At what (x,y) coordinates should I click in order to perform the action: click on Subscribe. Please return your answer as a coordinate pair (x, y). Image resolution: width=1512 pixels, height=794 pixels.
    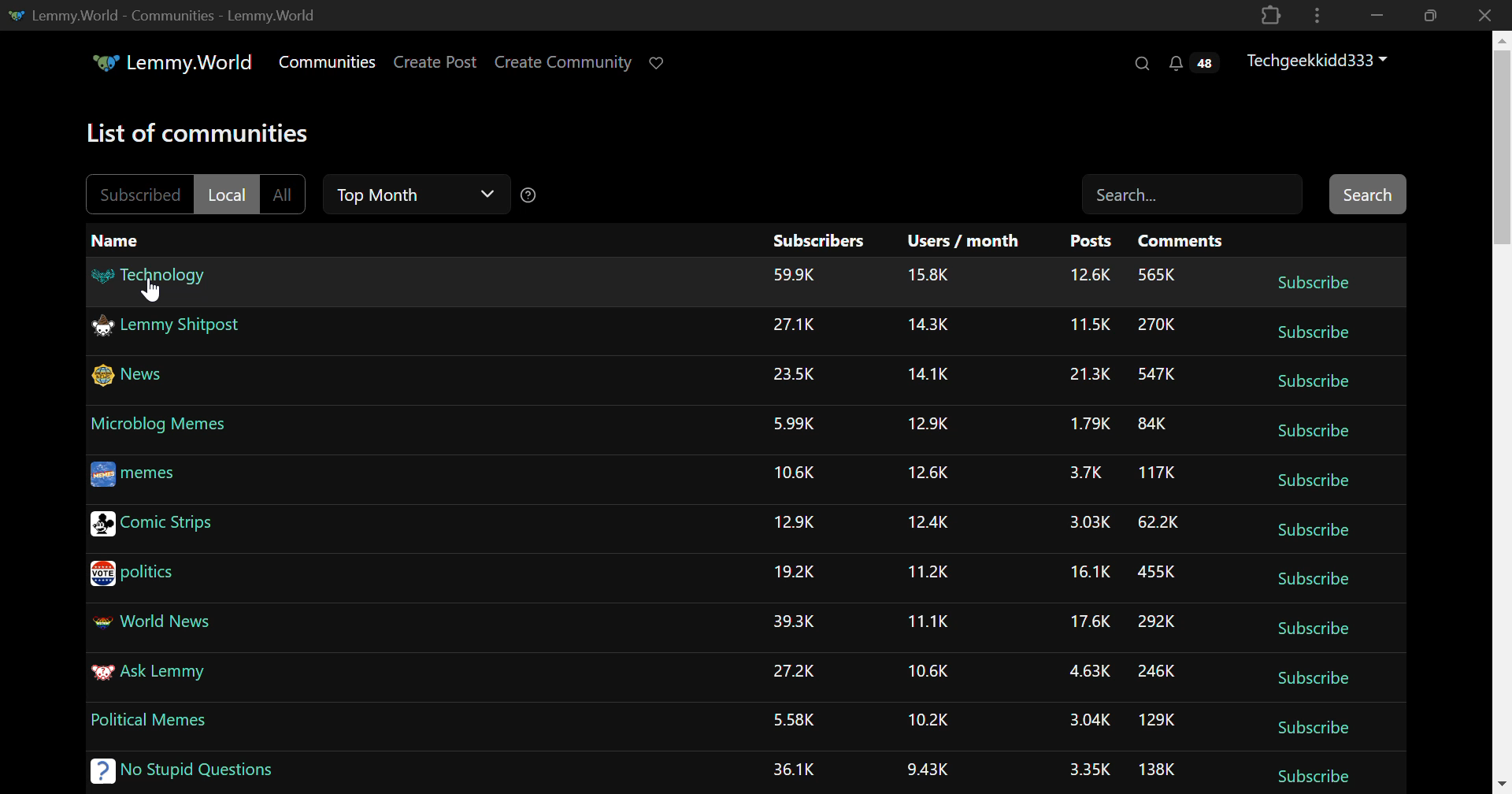
    Looking at the image, I should click on (1314, 335).